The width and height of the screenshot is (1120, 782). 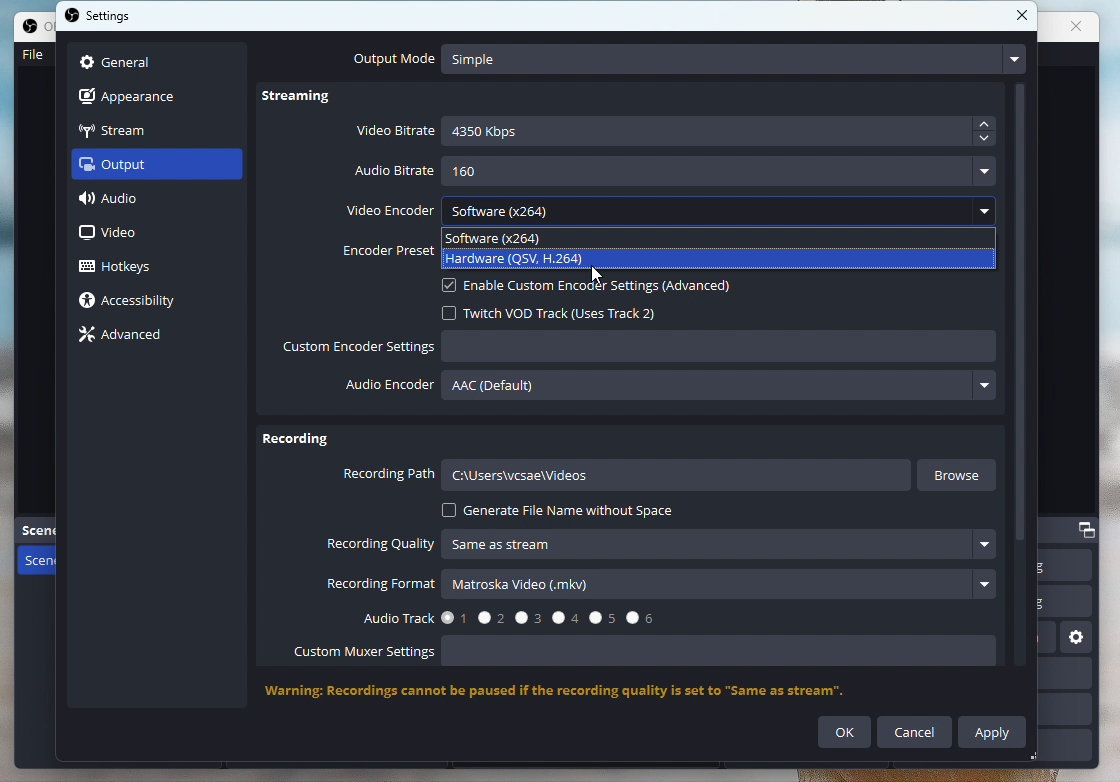 I want to click on Twitch VOD Track (Uses Track 2), so click(x=561, y=312).